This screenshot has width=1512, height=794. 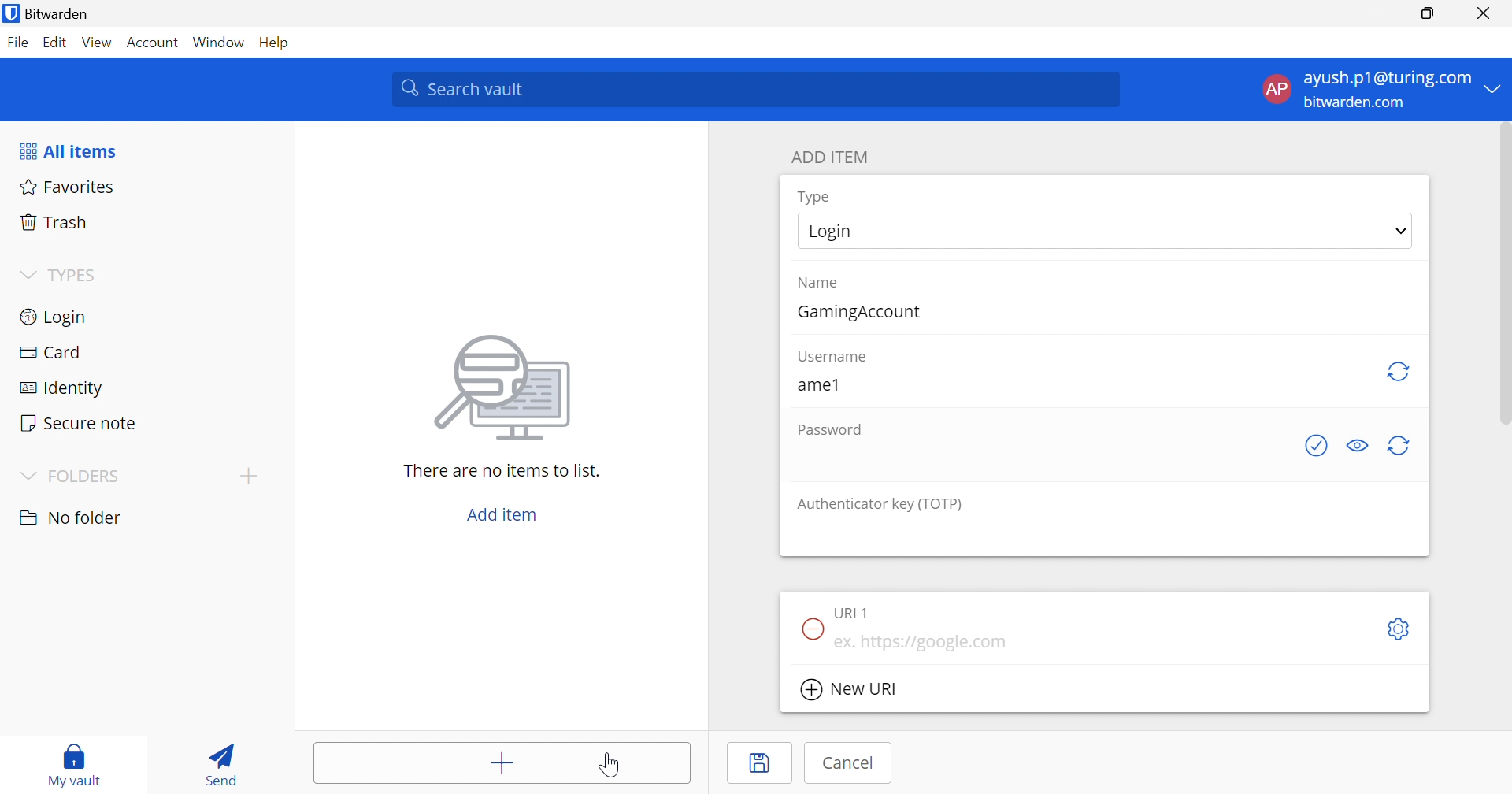 I want to click on My vault, so click(x=72, y=762).